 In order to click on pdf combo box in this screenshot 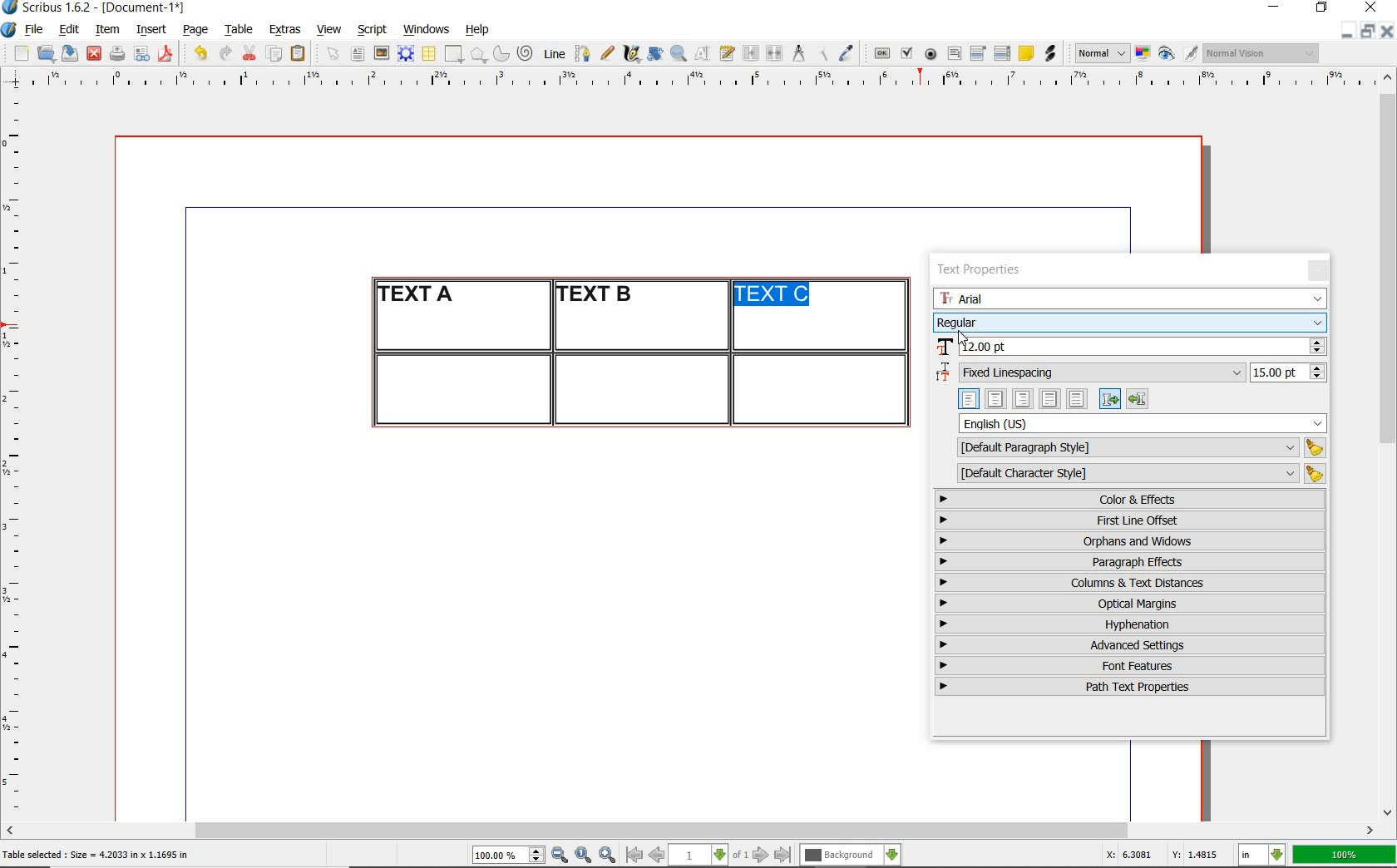, I will do `click(979, 52)`.